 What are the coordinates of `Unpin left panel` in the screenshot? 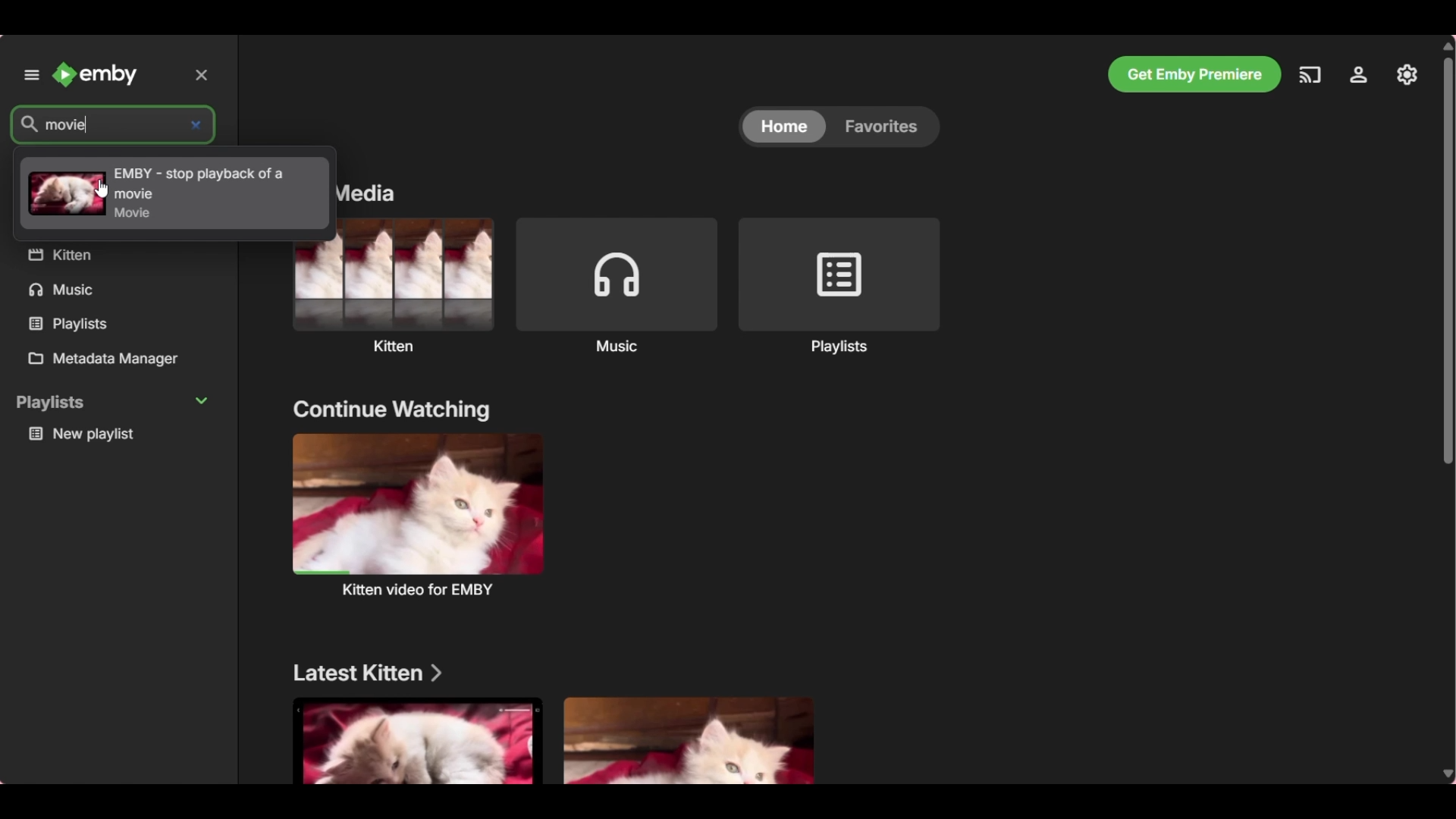 It's located at (31, 75).